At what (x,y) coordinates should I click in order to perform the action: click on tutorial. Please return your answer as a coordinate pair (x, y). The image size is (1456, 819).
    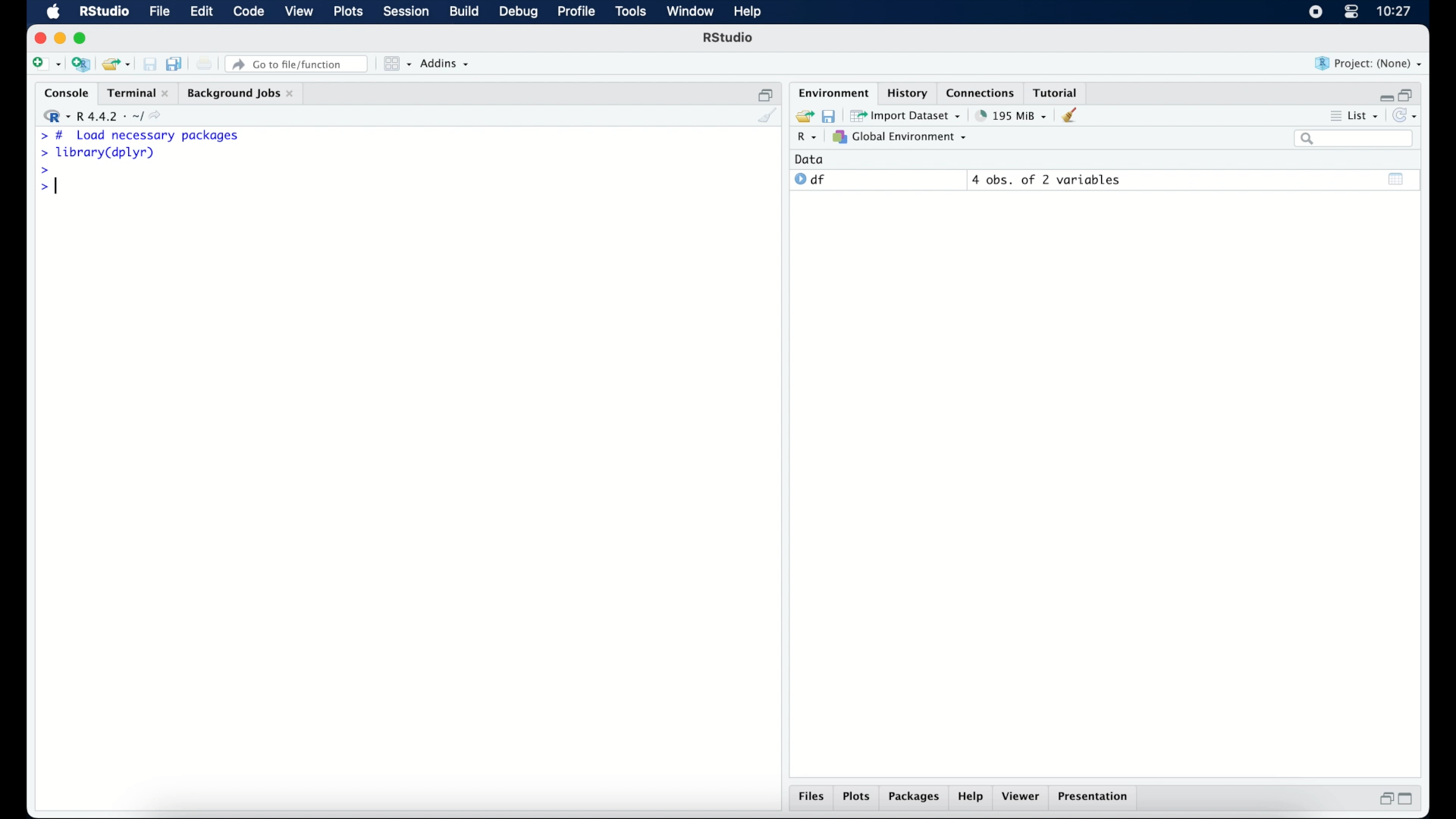
    Looking at the image, I should click on (1059, 92).